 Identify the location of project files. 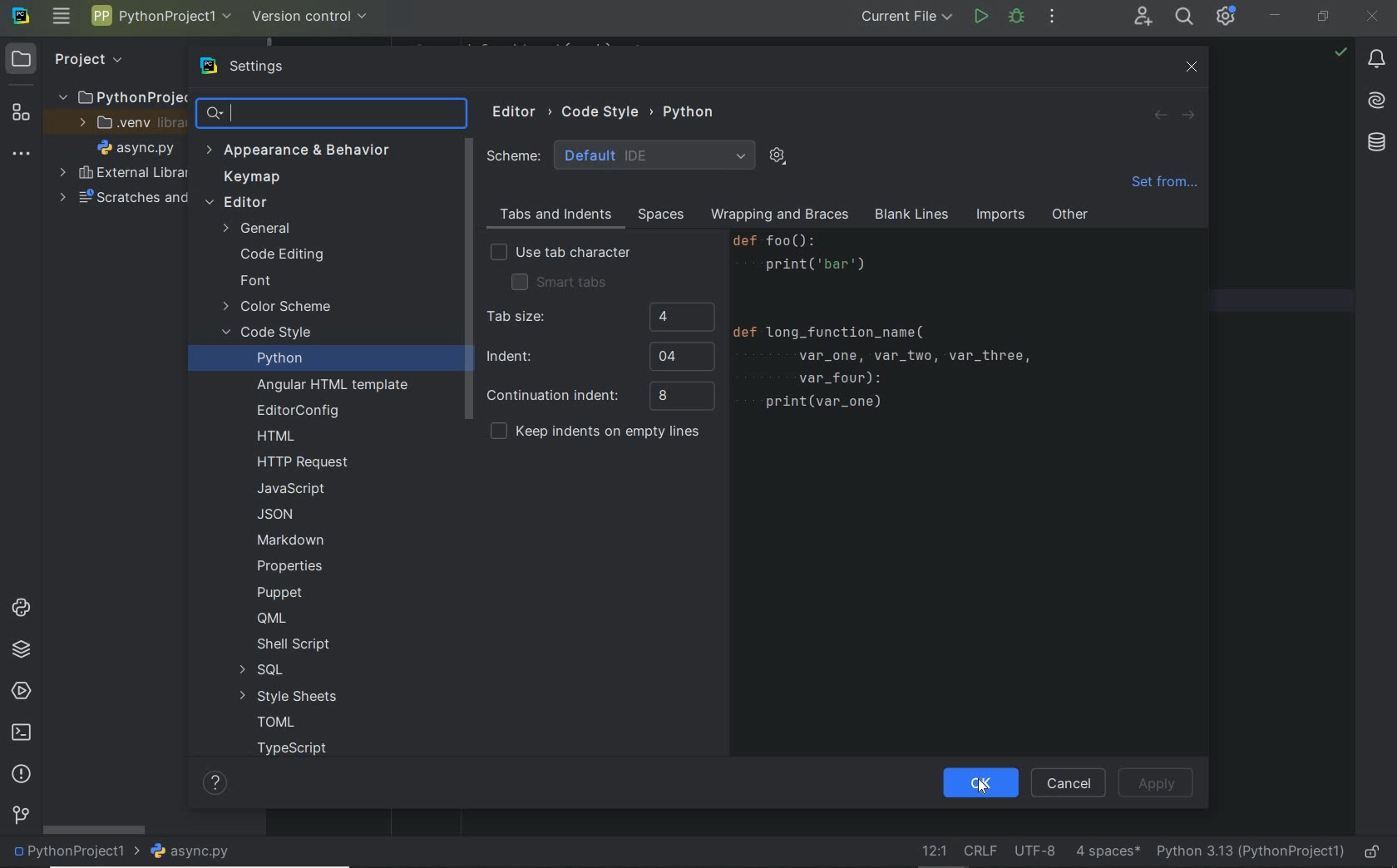
(136, 148).